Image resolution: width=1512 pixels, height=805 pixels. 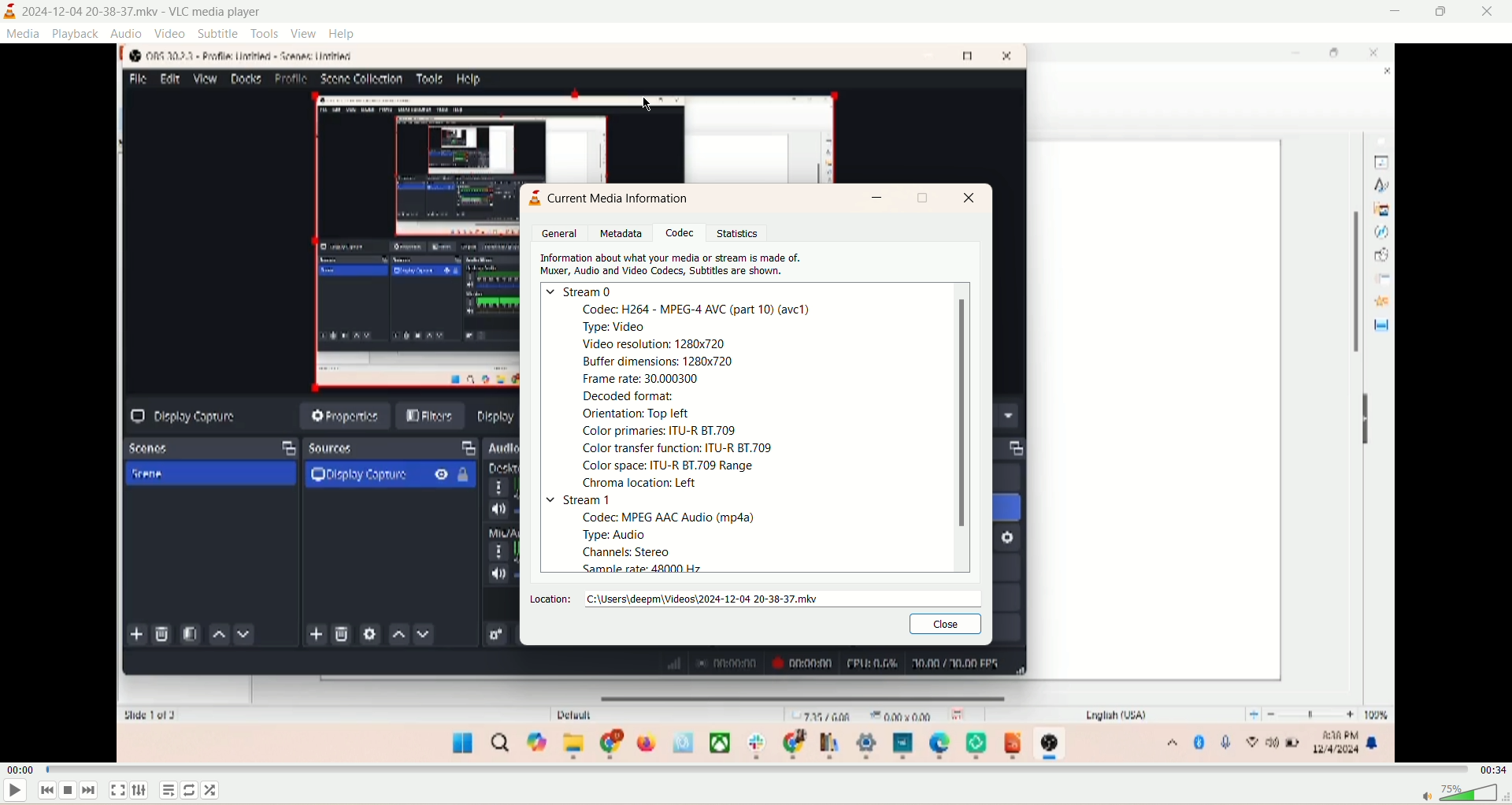 I want to click on tools, so click(x=267, y=33).